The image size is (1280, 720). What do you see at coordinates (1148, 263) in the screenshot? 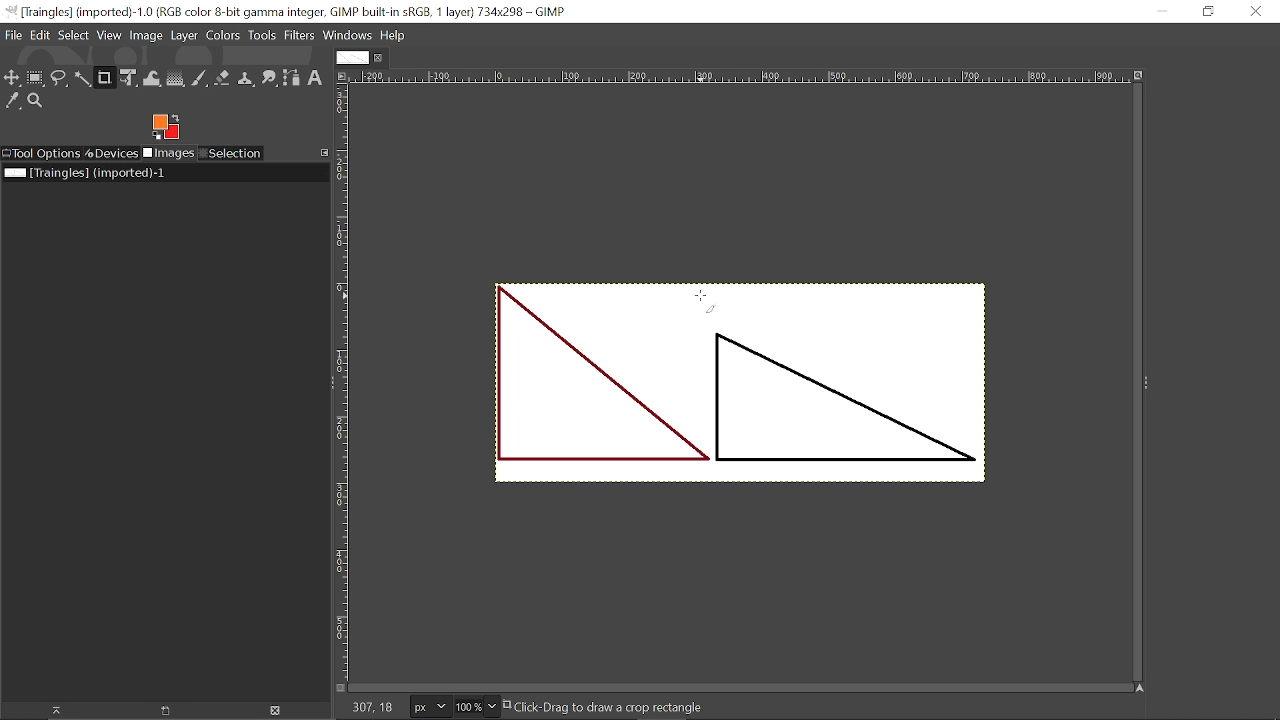
I see `Text tool` at bounding box center [1148, 263].